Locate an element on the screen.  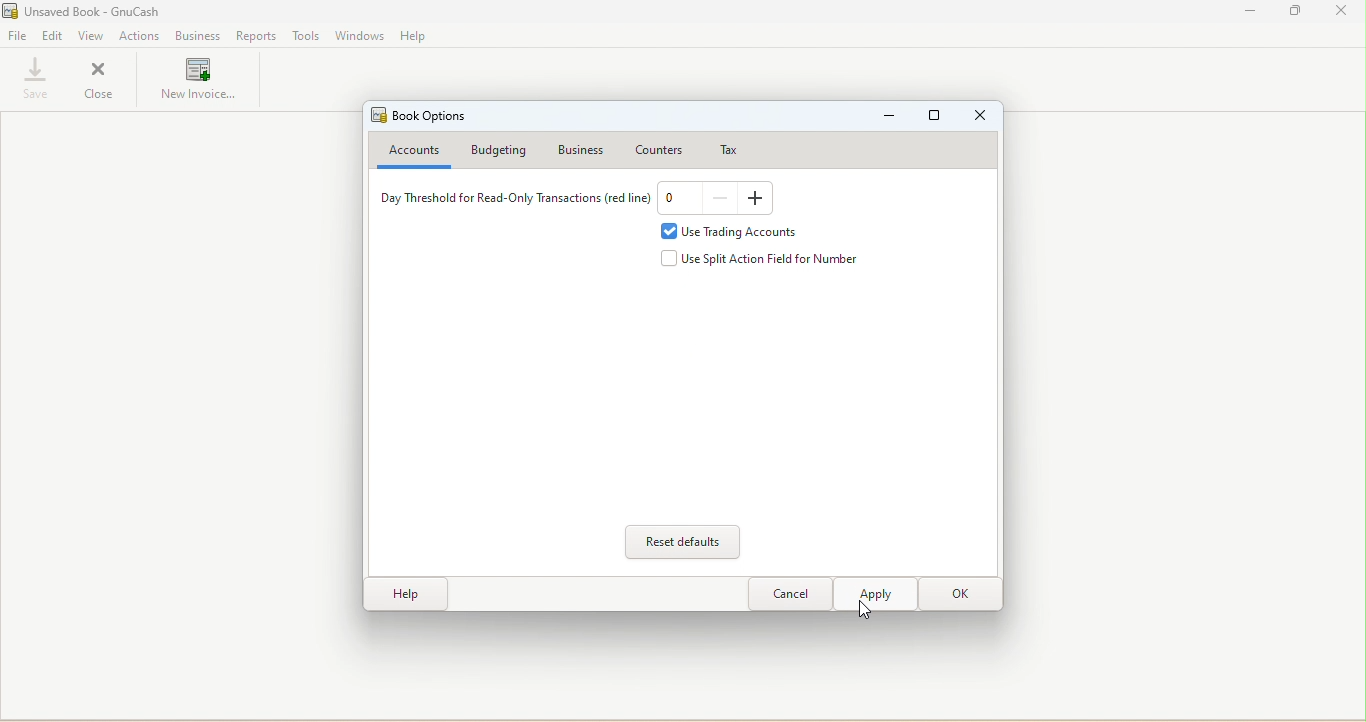
Maximize is located at coordinates (935, 118).